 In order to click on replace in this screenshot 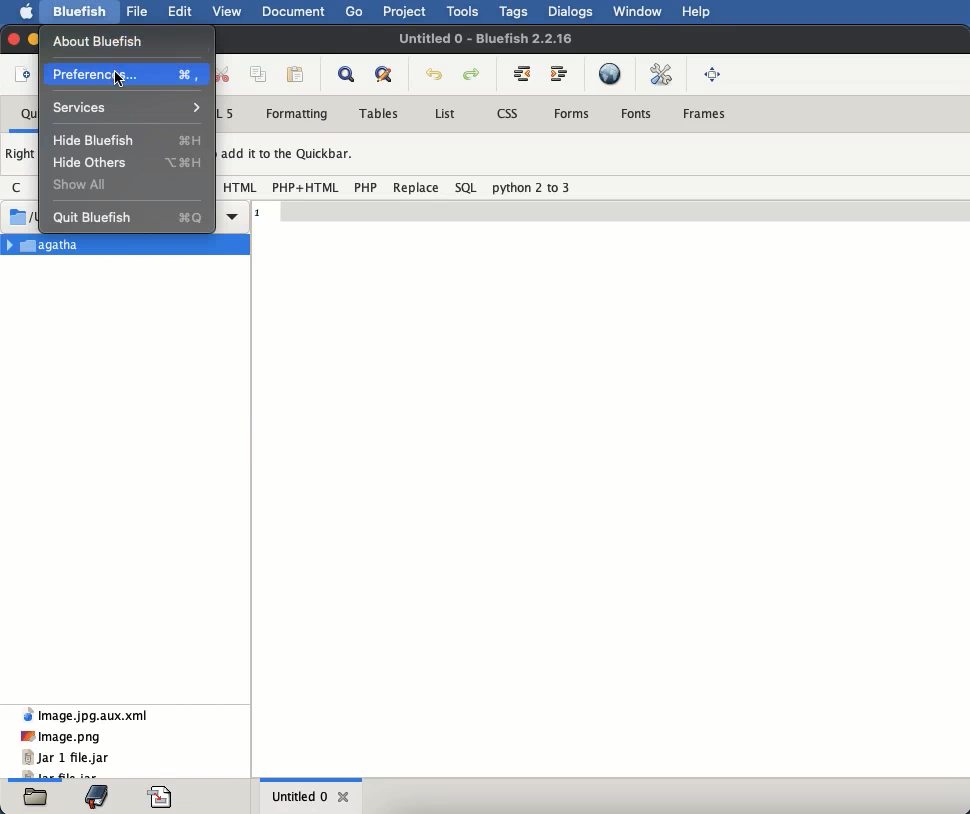, I will do `click(416, 188)`.